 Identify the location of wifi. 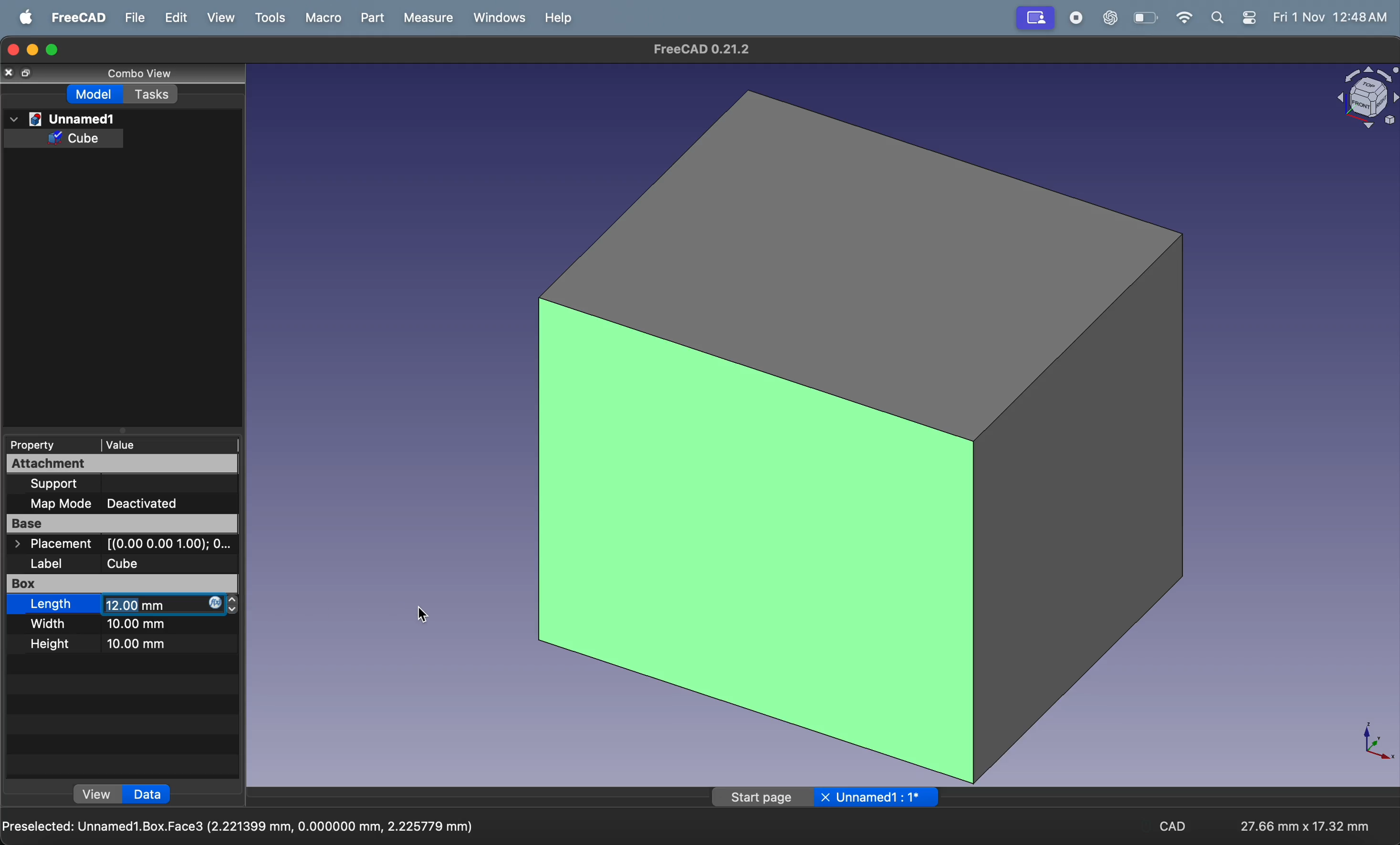
(1184, 18).